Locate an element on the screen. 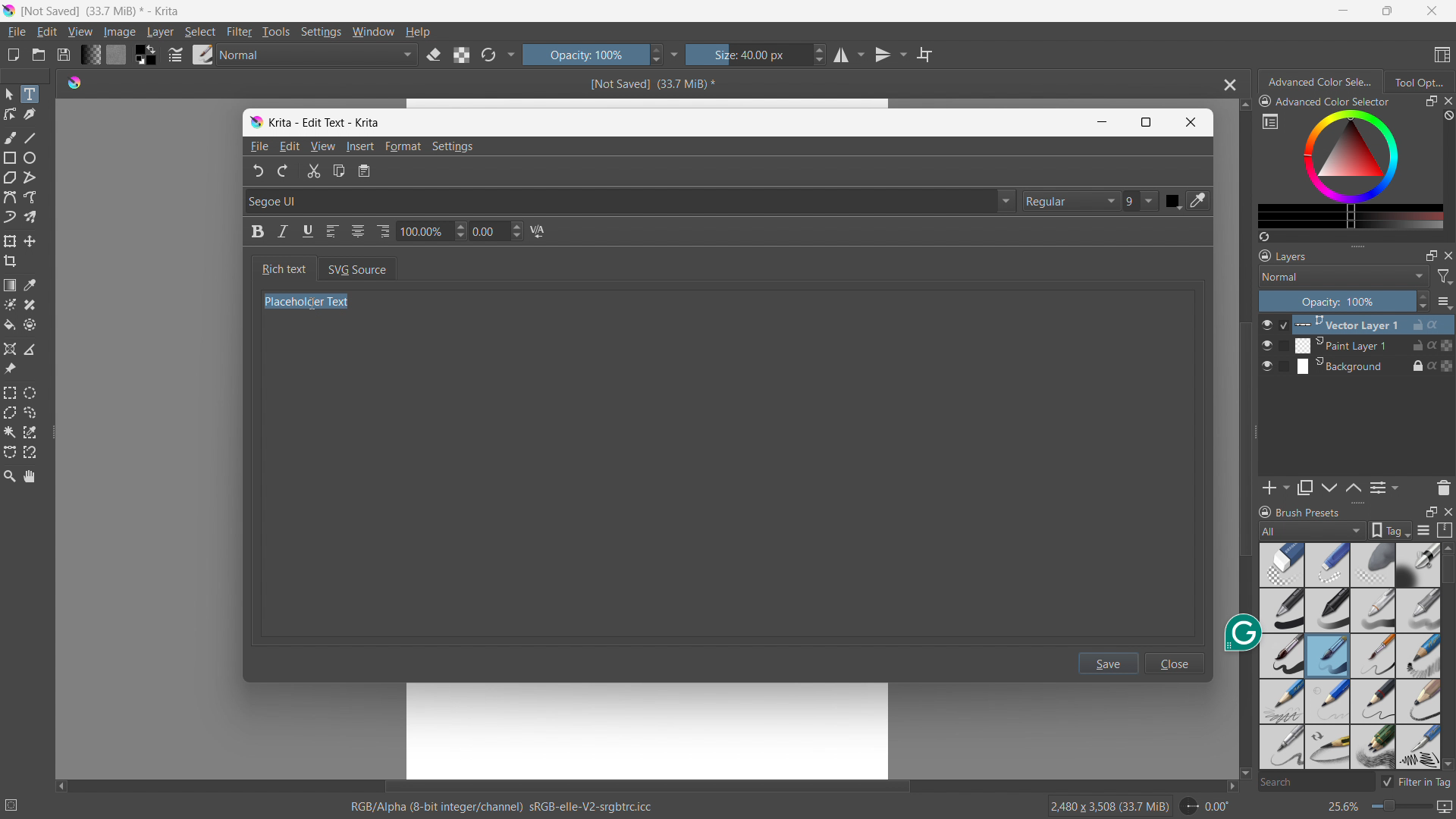 This screenshot has height=819, width=1456. maximize is located at coordinates (1147, 123).